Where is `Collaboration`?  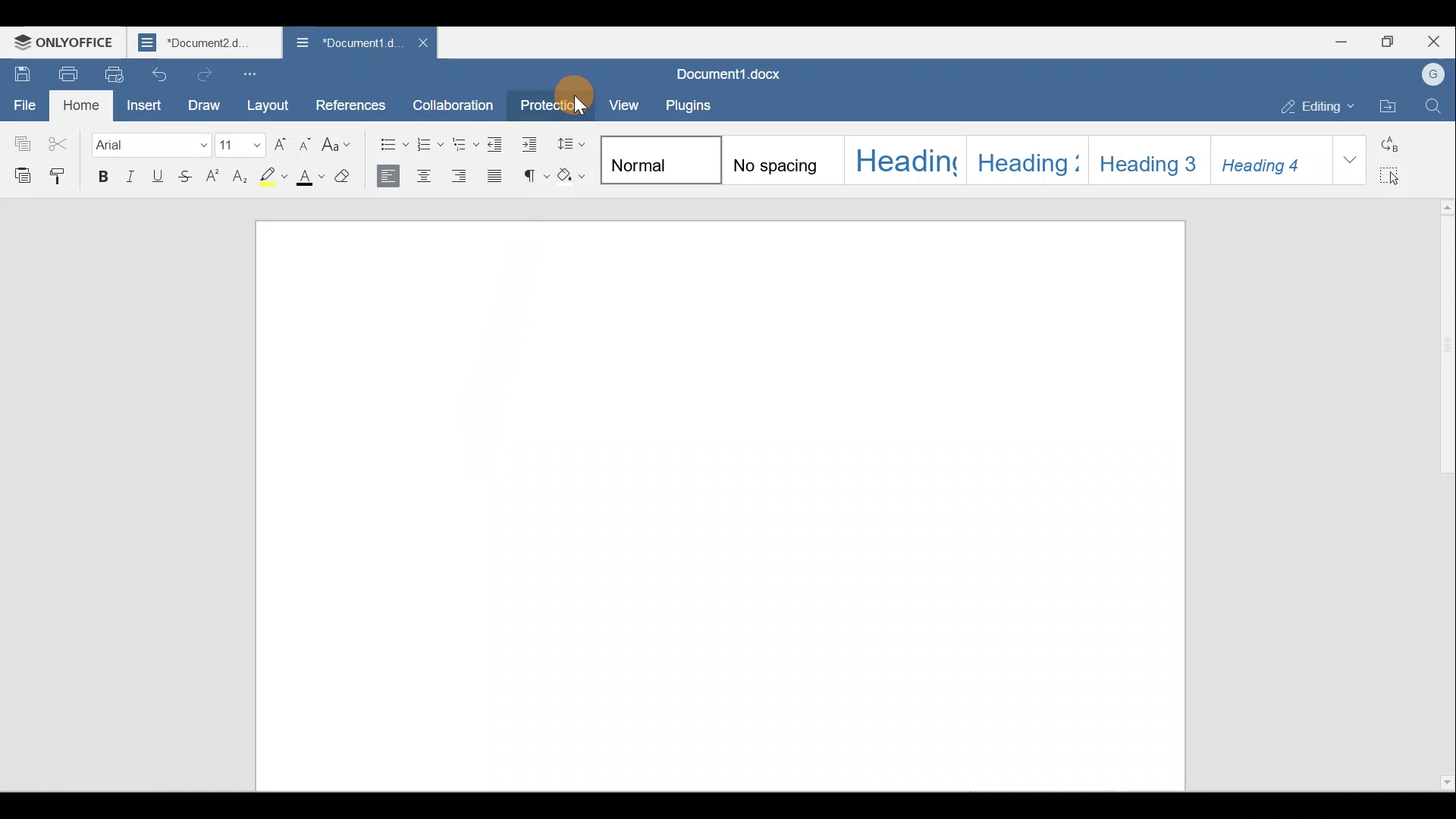 Collaboration is located at coordinates (453, 105).